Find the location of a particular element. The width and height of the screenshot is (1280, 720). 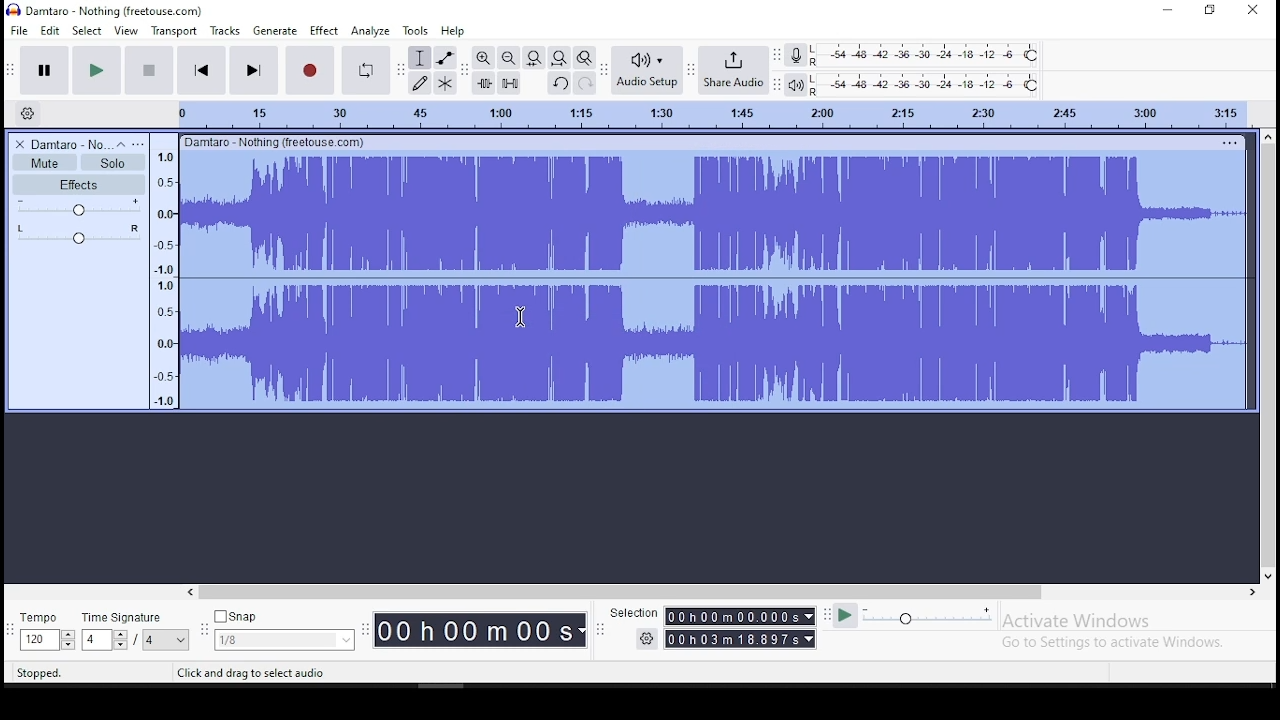

skip to start is located at coordinates (201, 69).